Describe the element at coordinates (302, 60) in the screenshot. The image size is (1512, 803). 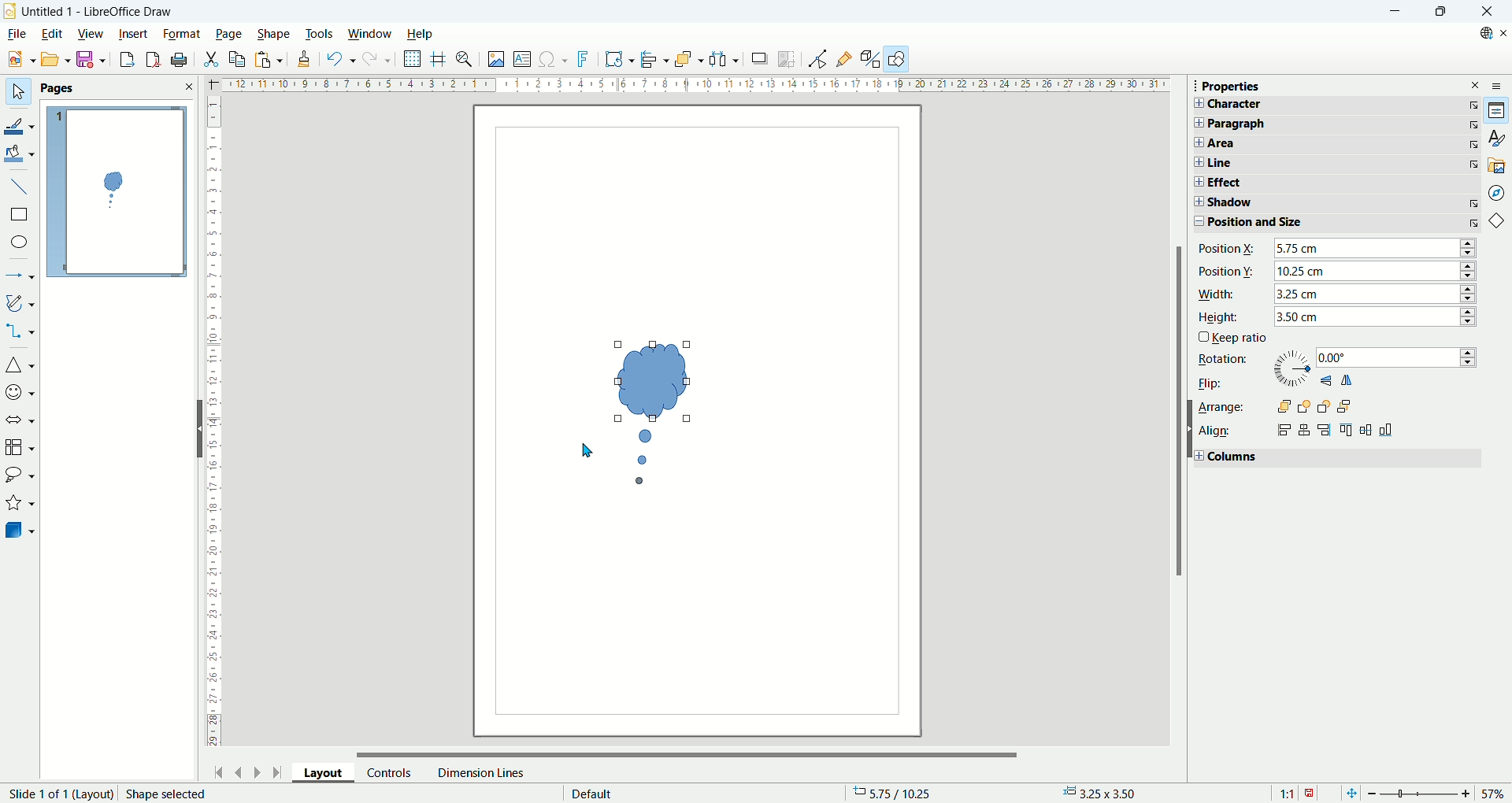
I see `clone formatting` at that location.